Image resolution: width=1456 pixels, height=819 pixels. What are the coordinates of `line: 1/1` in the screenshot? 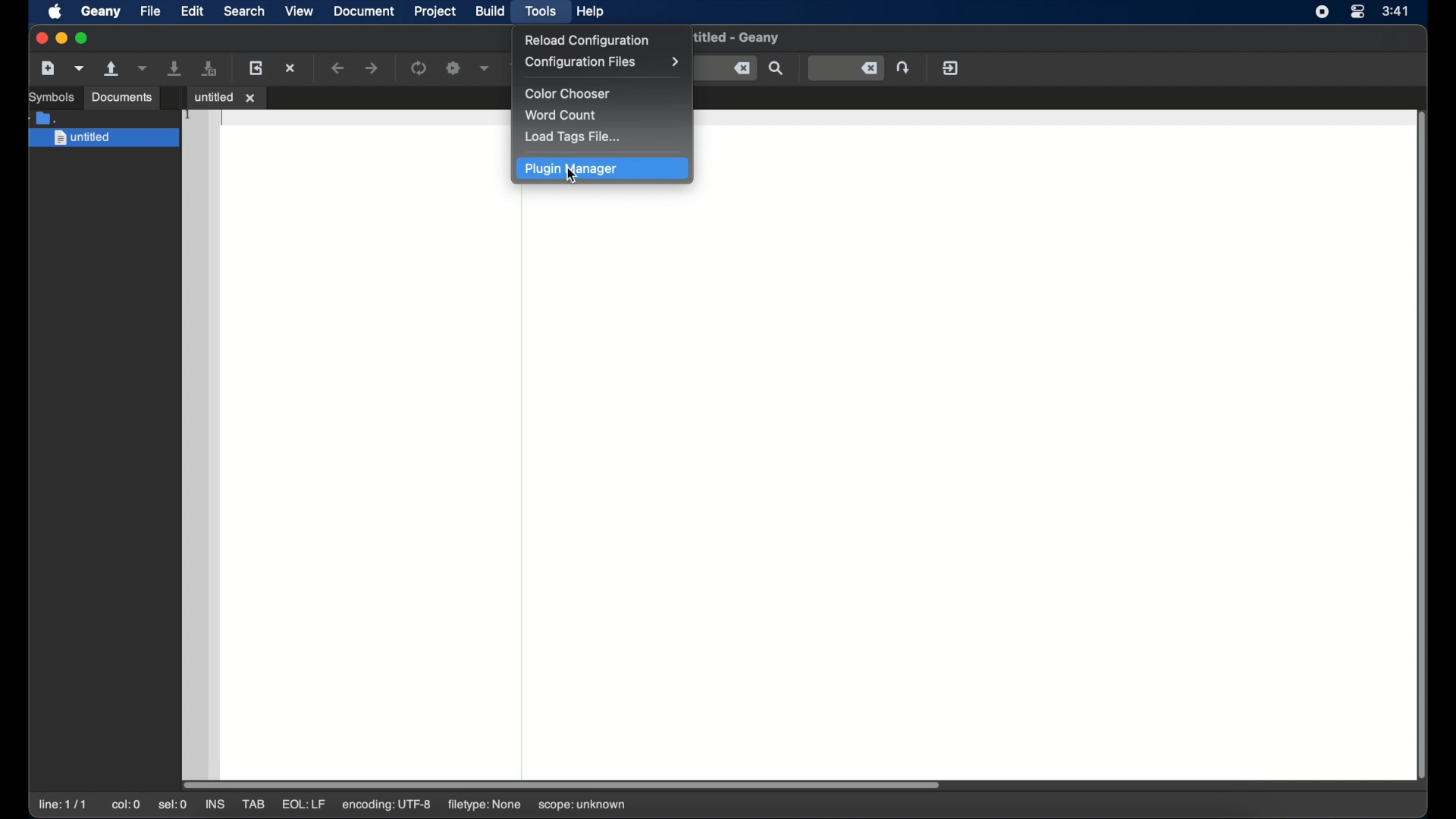 It's located at (63, 805).